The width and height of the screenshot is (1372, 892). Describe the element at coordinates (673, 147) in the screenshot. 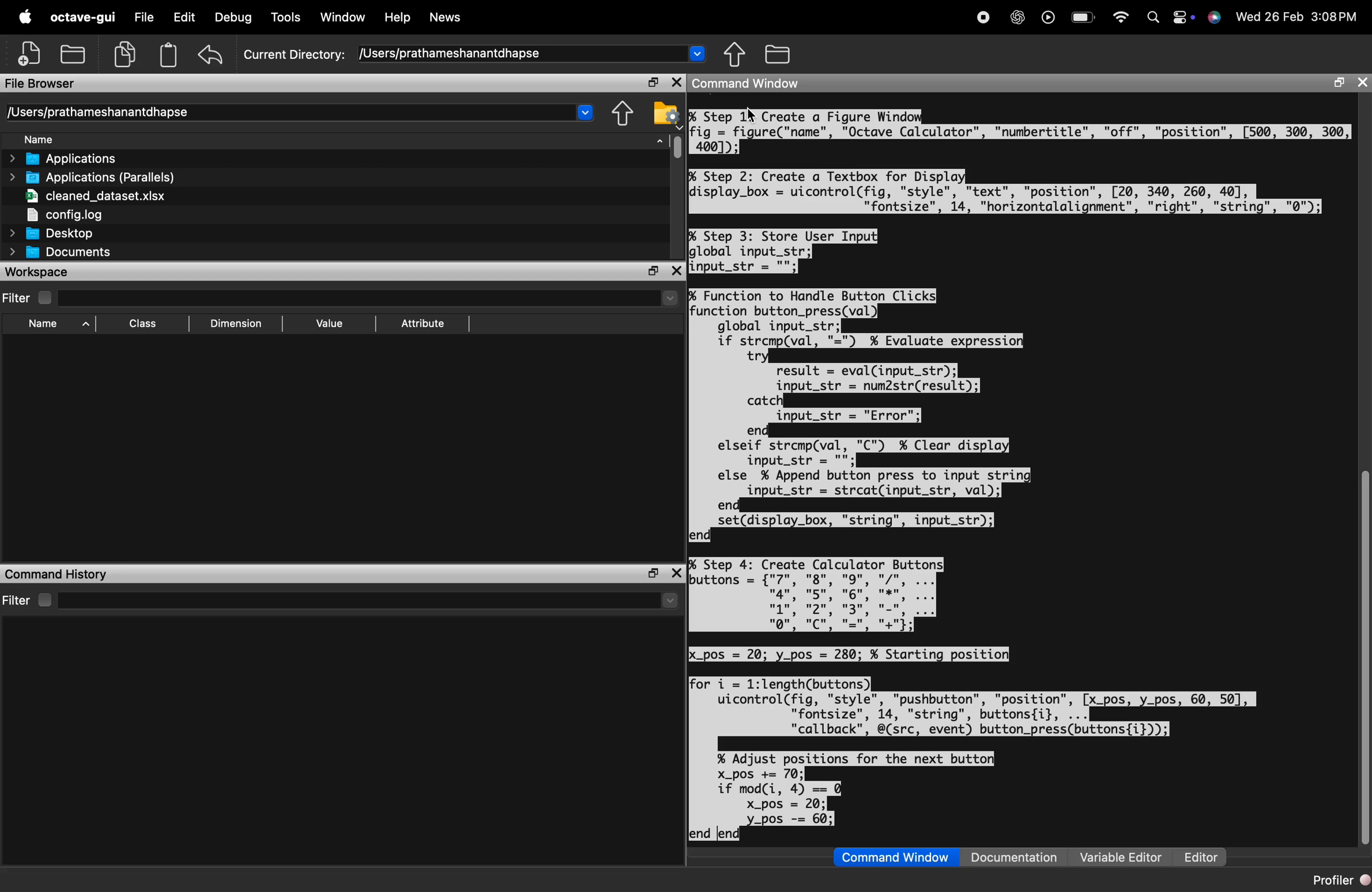

I see `vertical scrollbar` at that location.